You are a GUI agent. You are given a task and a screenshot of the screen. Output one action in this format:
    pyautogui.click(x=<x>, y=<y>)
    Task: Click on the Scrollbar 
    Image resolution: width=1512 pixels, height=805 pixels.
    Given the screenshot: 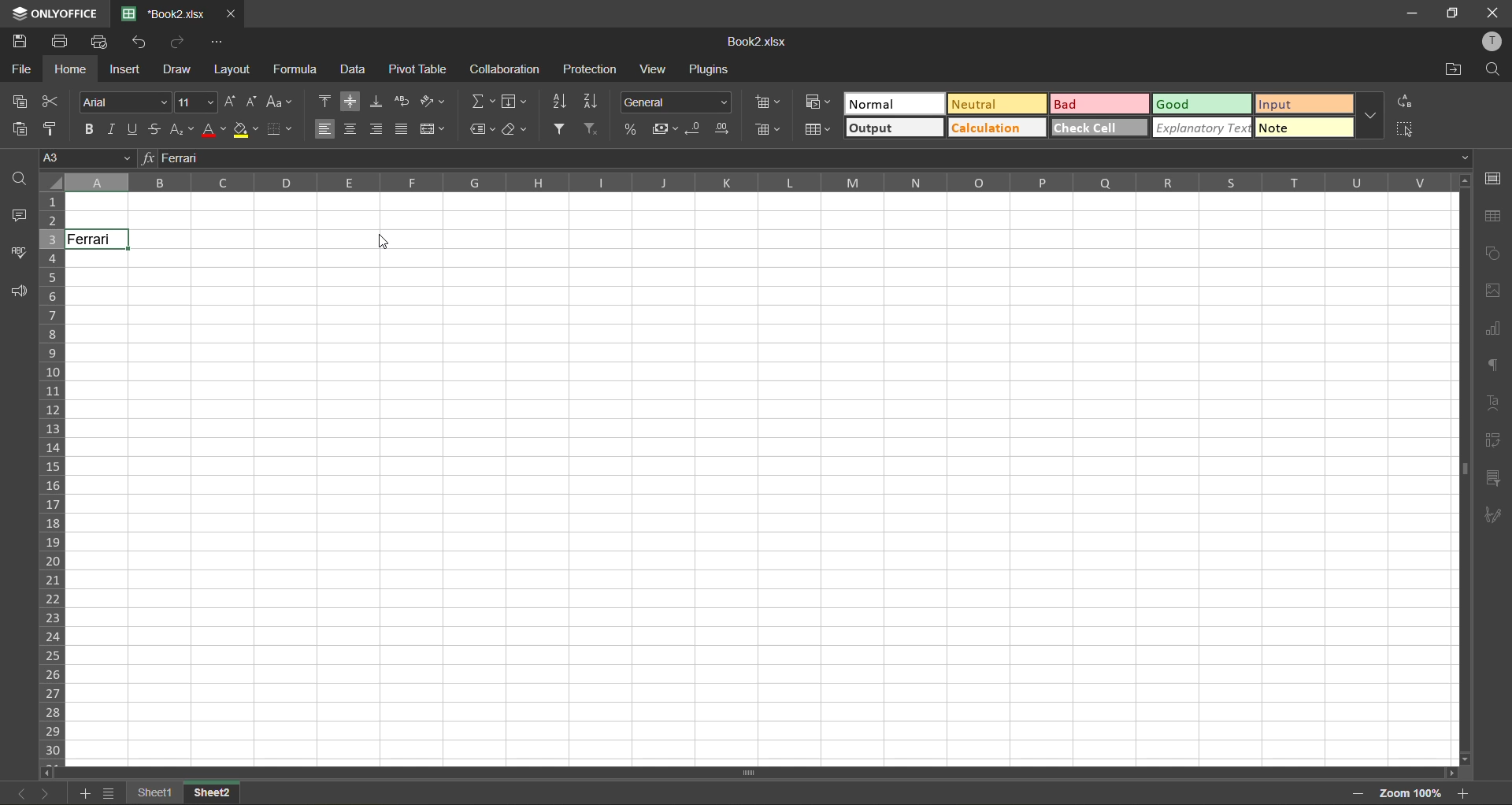 What is the action you would take?
    pyautogui.click(x=751, y=770)
    